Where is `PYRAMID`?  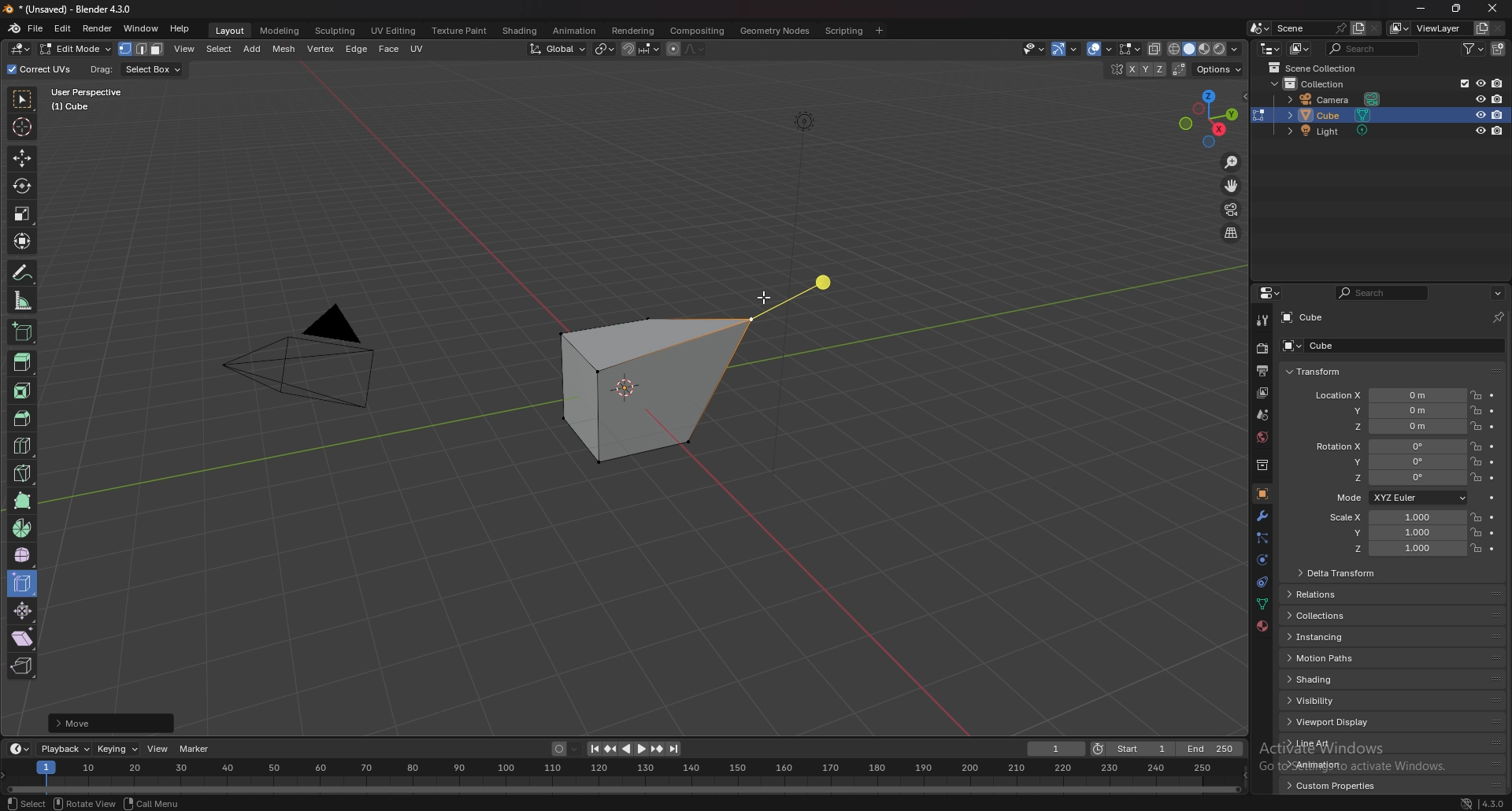 PYRAMID is located at coordinates (313, 359).